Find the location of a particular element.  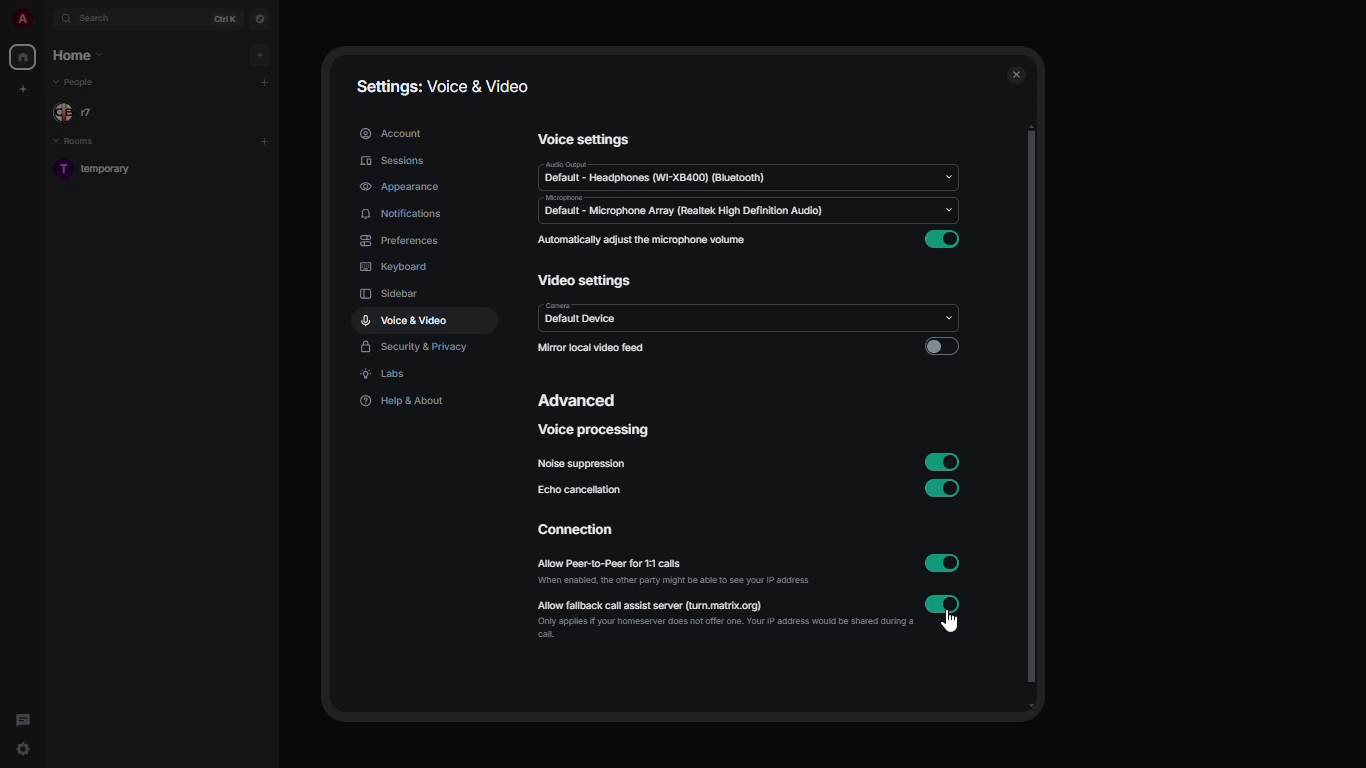

allow peer-to-peer for 1:1 calls is located at coordinates (674, 572).